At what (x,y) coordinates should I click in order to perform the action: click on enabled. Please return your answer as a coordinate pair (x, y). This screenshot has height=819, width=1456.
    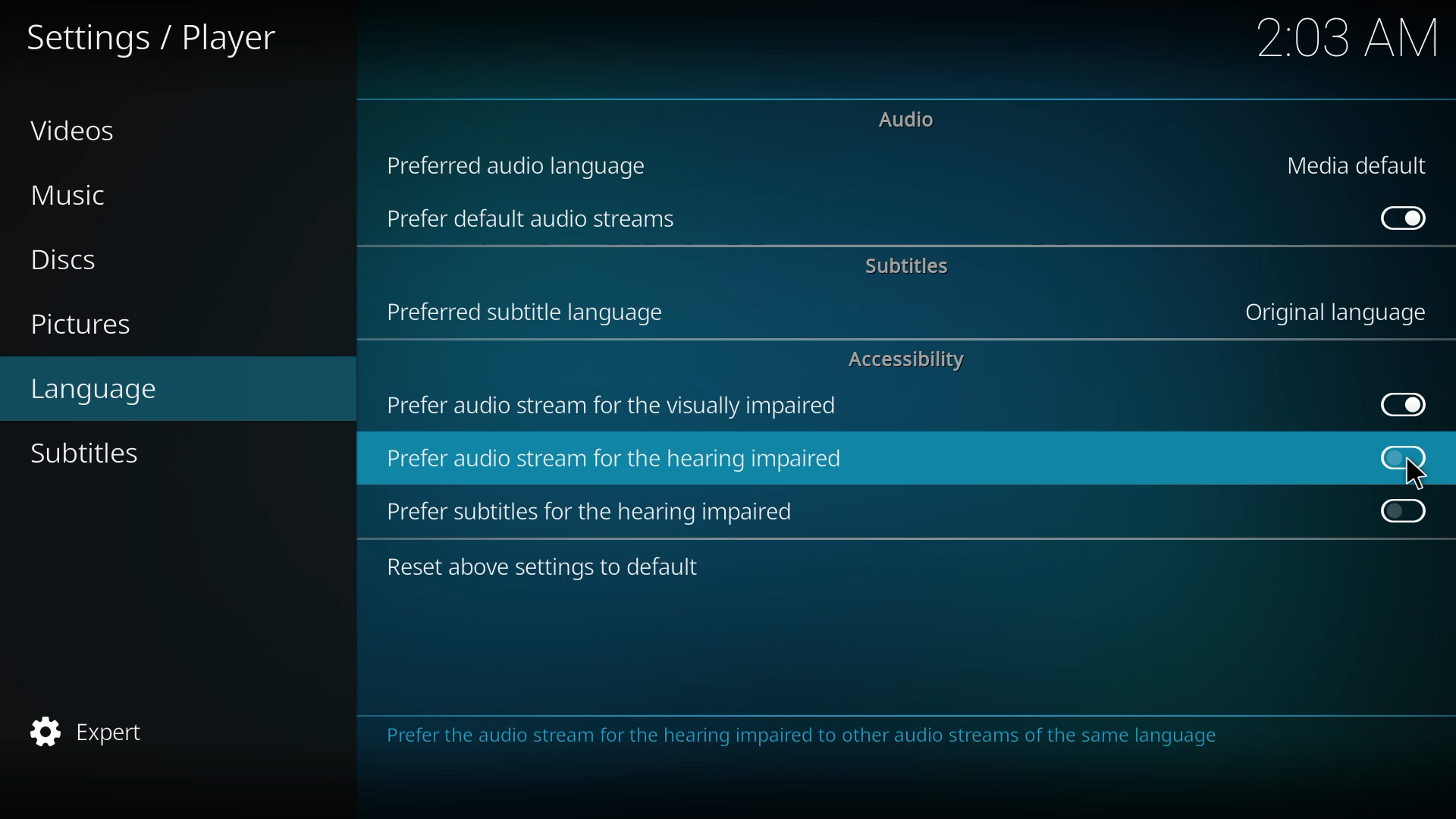
    Looking at the image, I should click on (1403, 218).